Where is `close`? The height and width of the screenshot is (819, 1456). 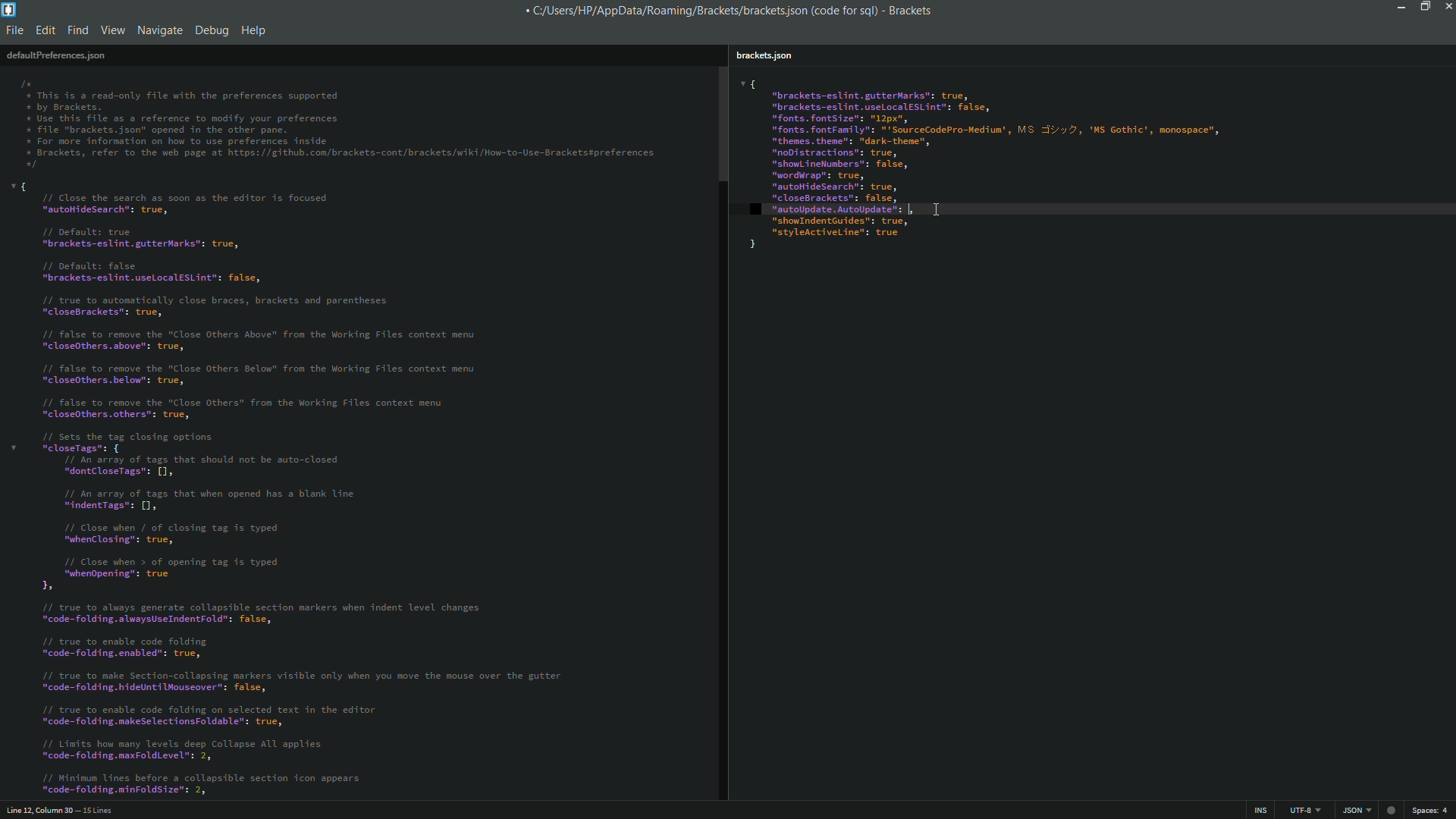 close is located at coordinates (1446, 9).